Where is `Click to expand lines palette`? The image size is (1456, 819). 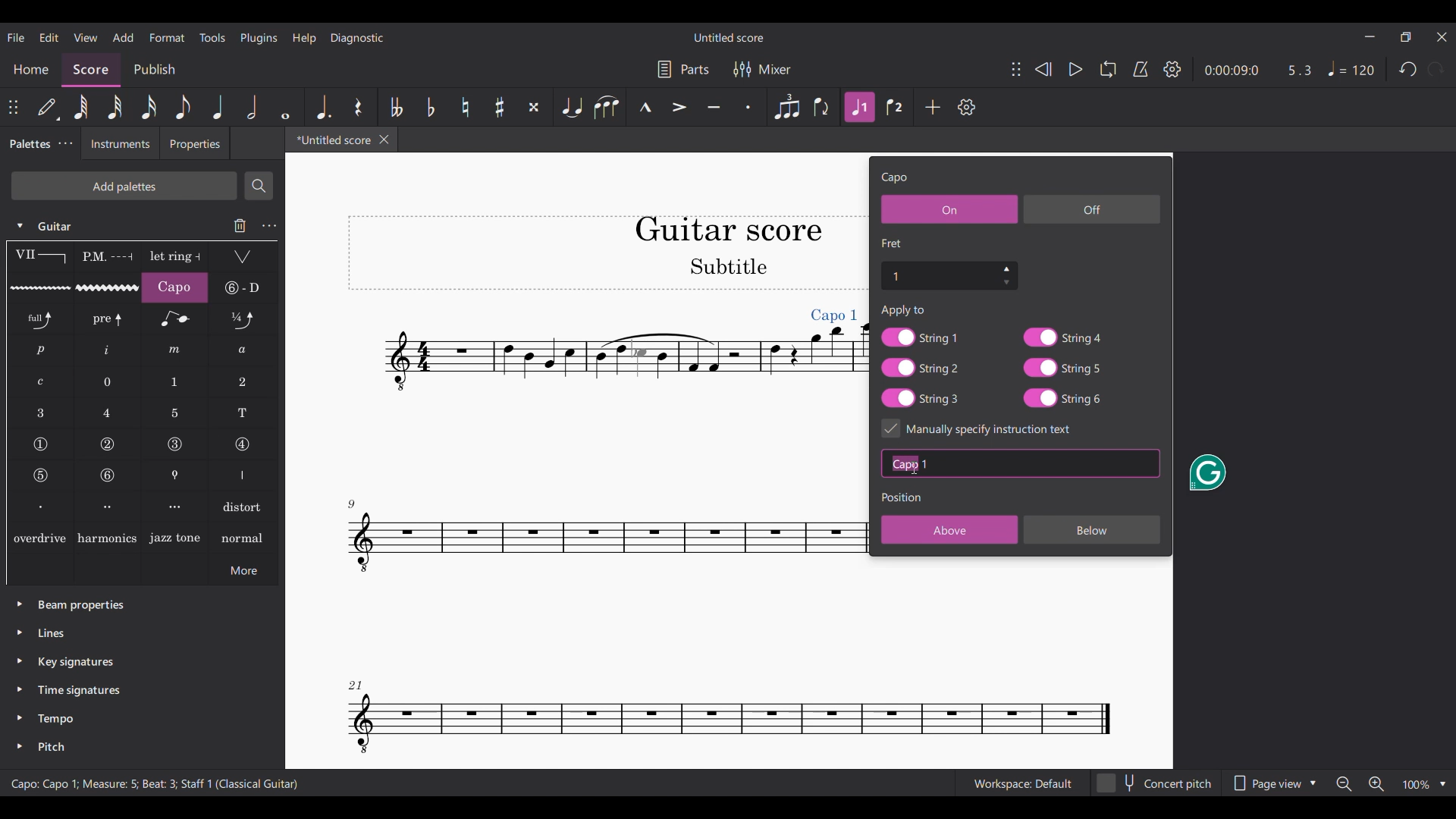
Click to expand lines palette is located at coordinates (19, 632).